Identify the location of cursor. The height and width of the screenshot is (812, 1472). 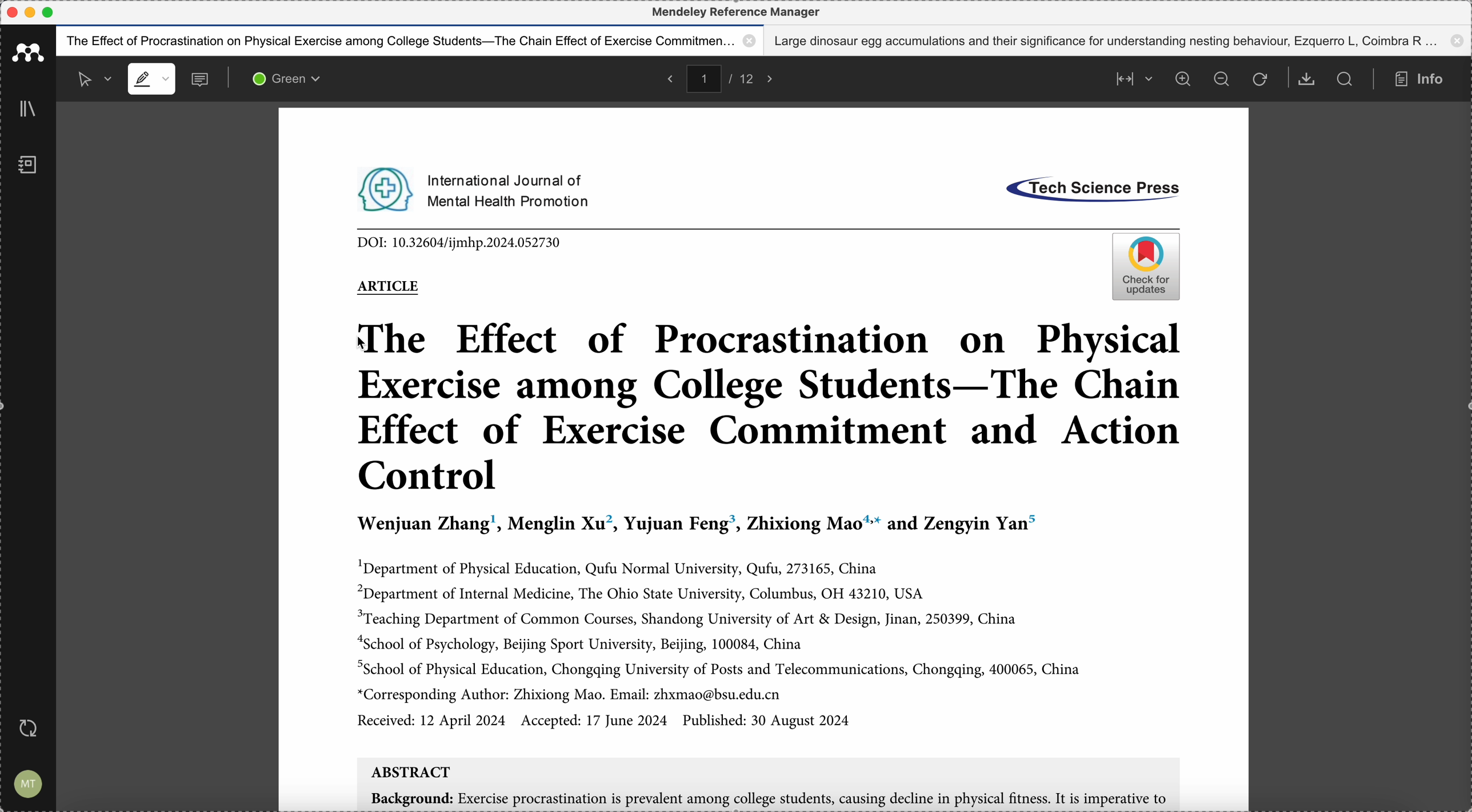
(365, 345).